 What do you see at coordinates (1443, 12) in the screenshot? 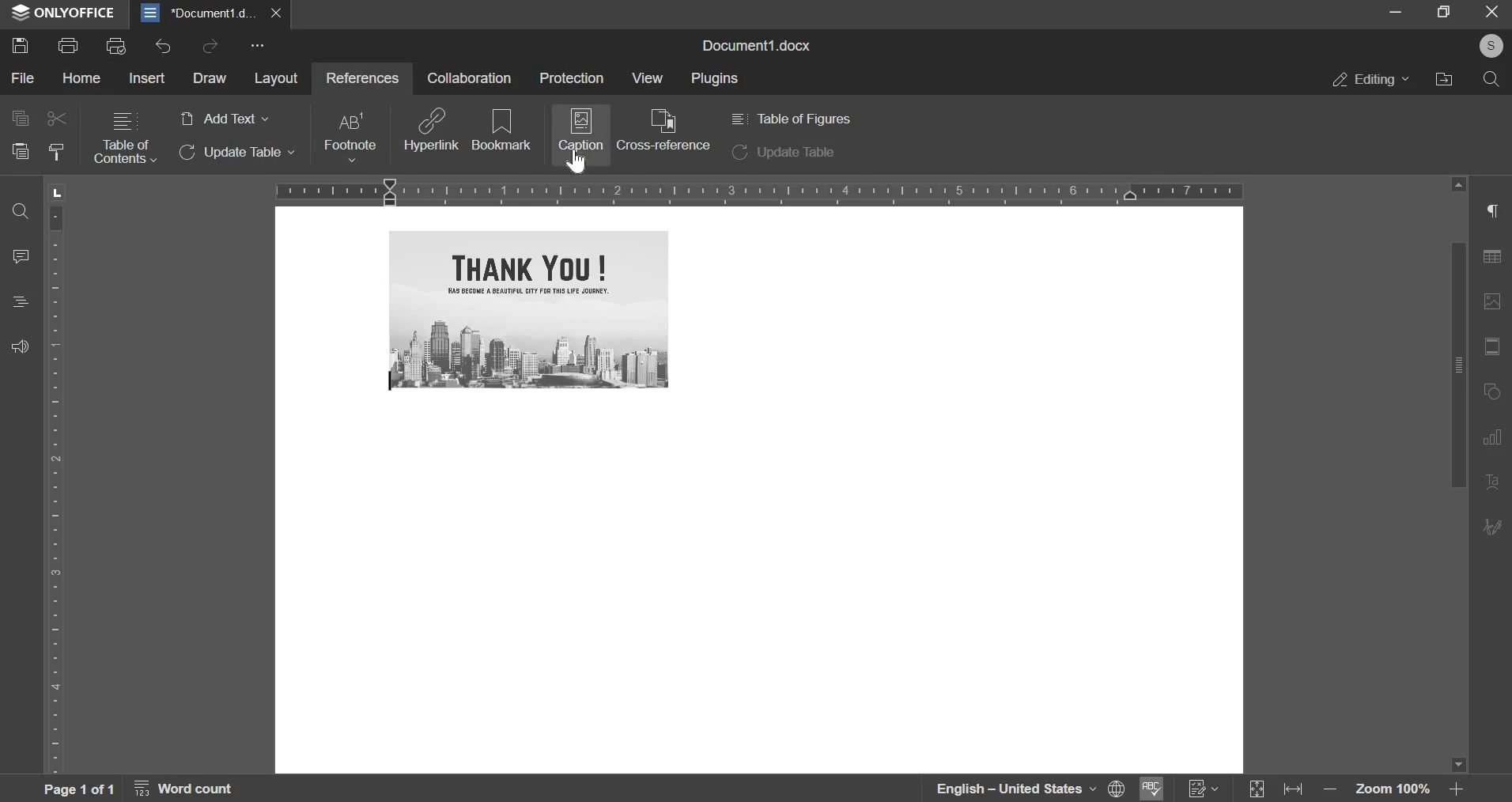
I see `fullscreen` at bounding box center [1443, 12].